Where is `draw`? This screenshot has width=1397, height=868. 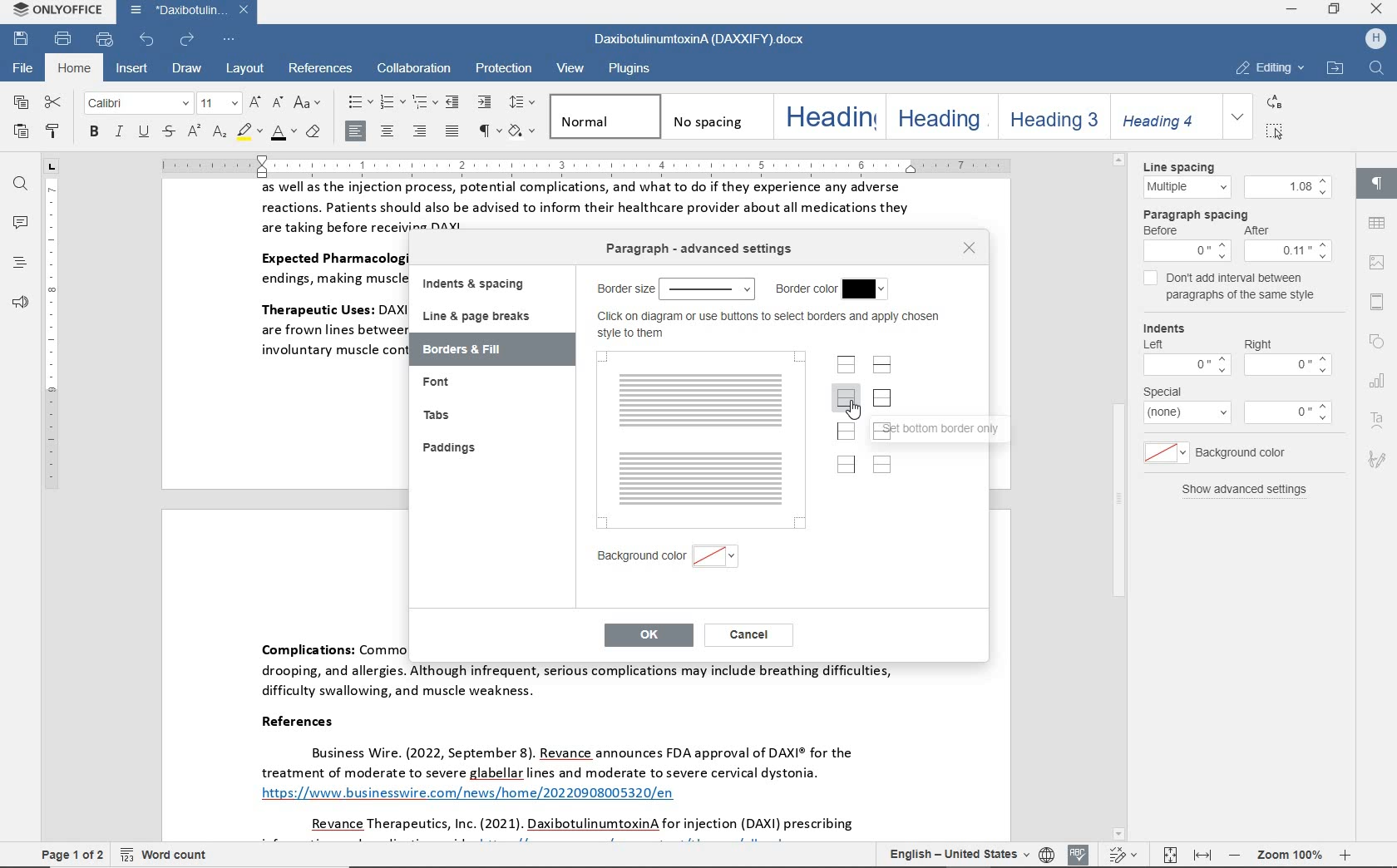 draw is located at coordinates (189, 71).